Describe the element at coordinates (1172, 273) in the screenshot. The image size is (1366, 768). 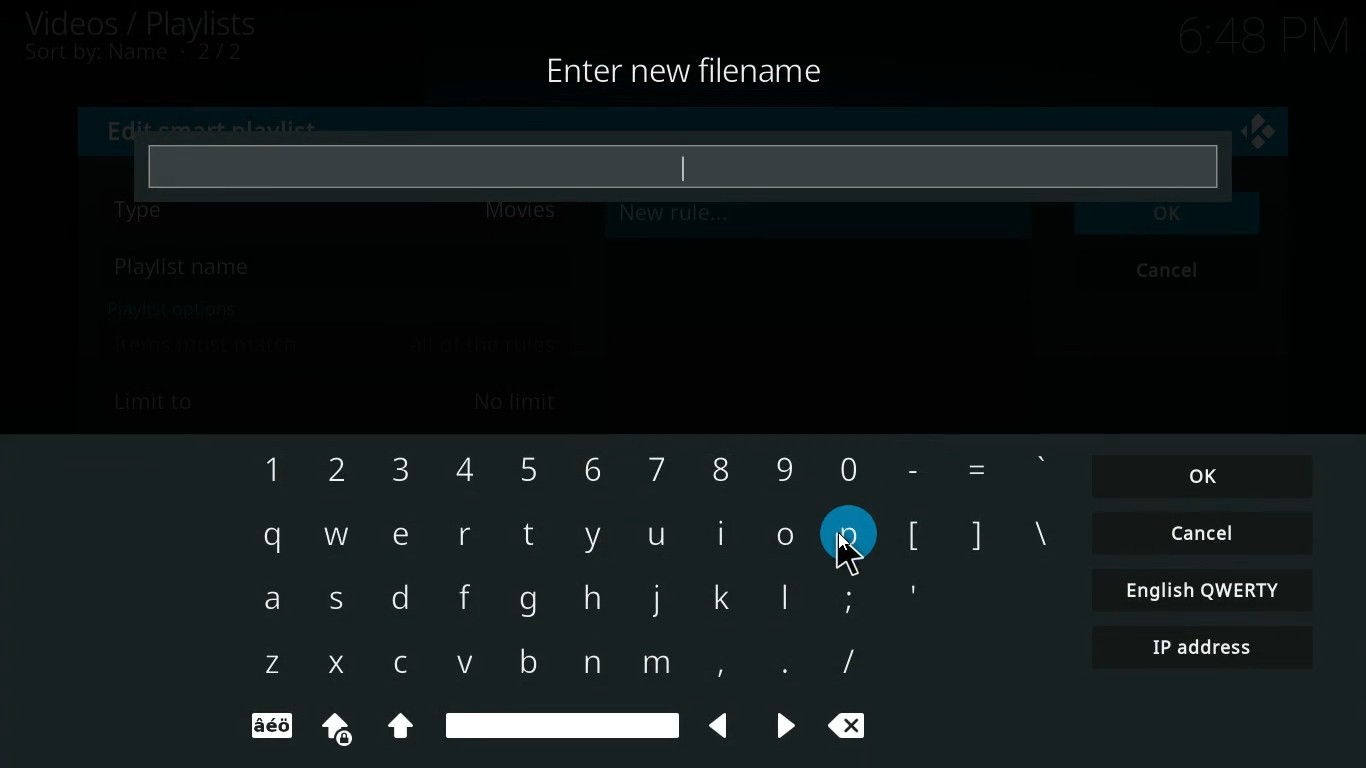
I see `cancel` at that location.